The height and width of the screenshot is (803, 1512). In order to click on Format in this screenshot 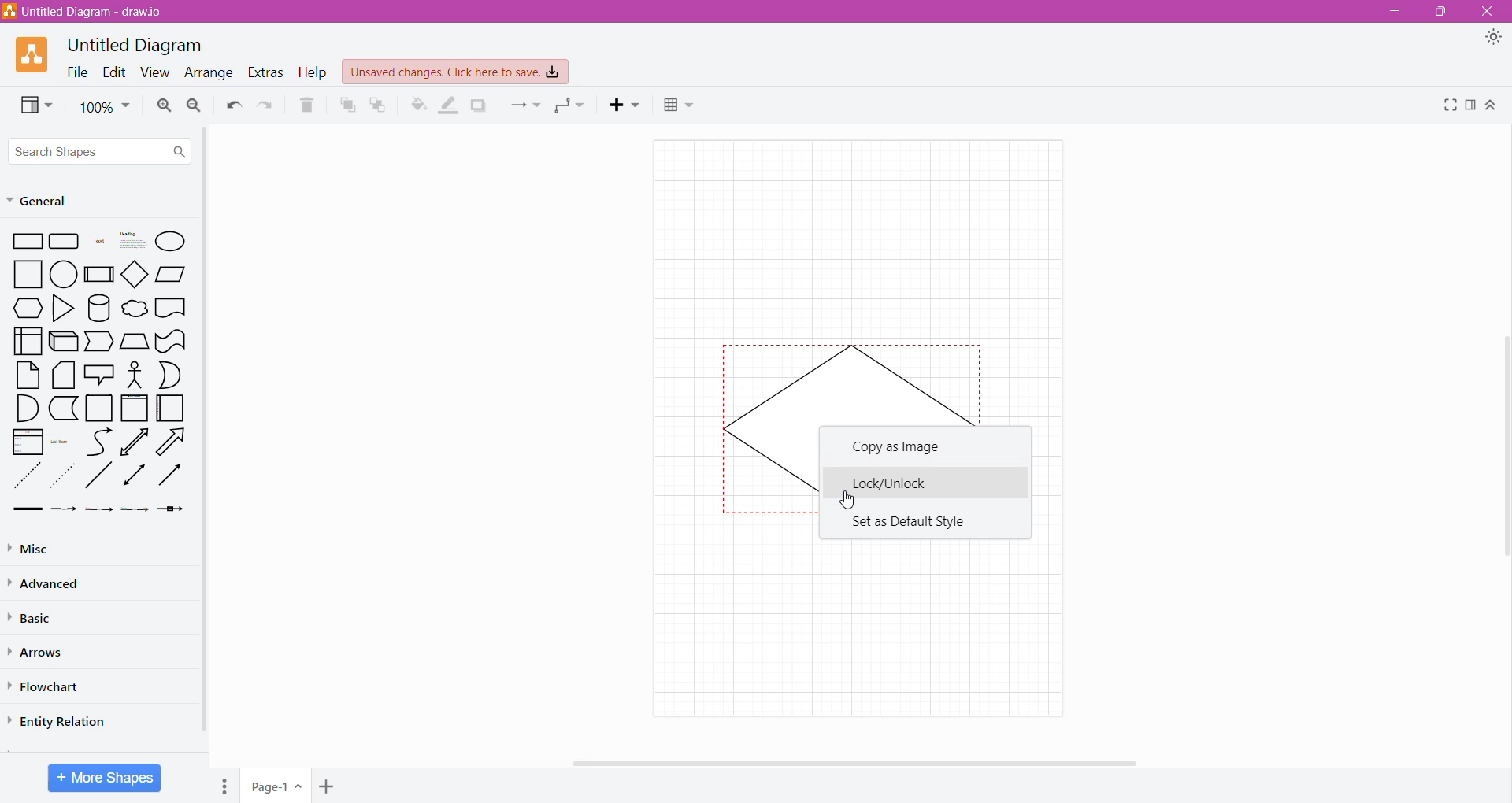, I will do `click(1472, 105)`.